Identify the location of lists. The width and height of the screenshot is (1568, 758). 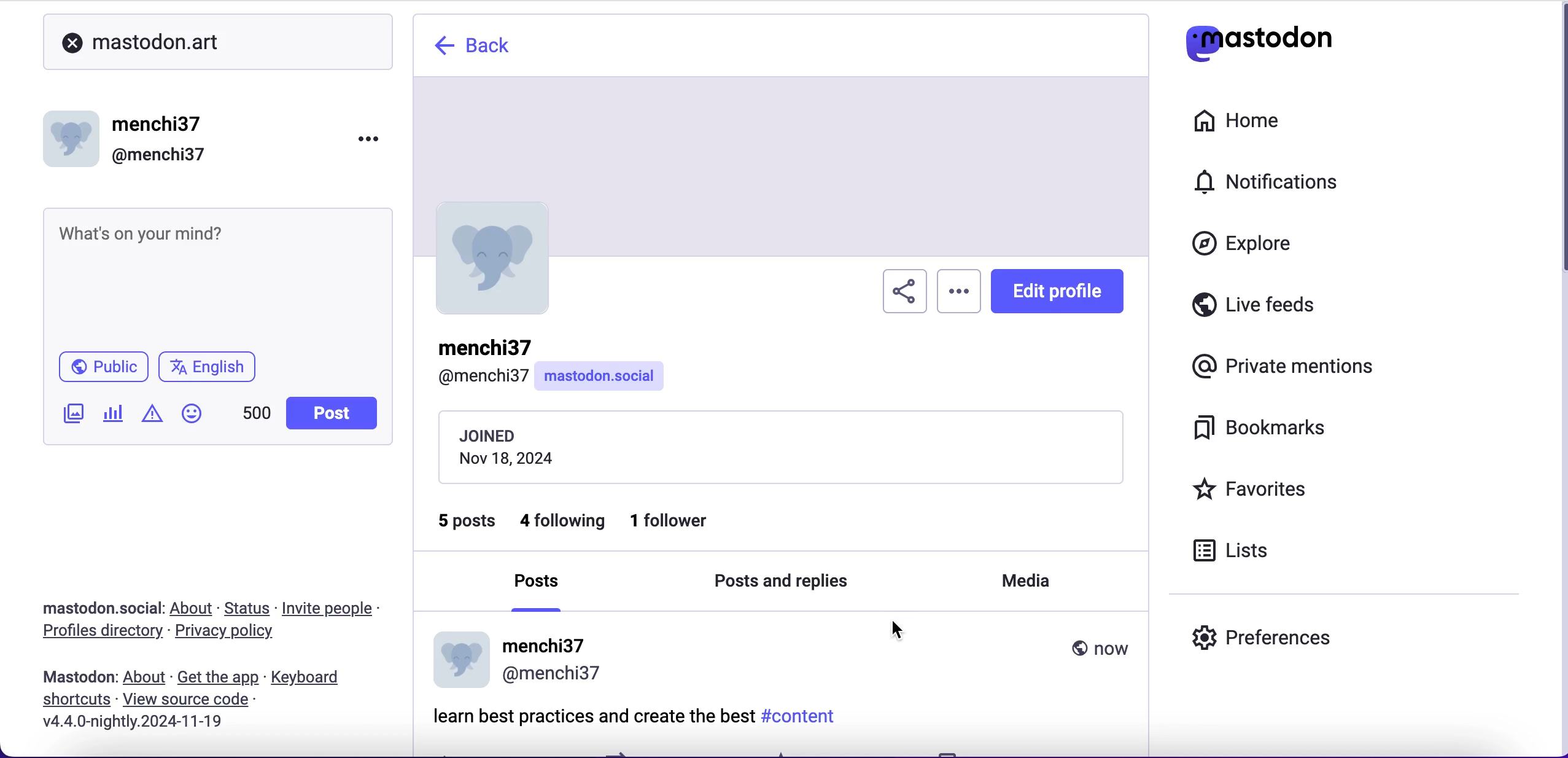
(1241, 554).